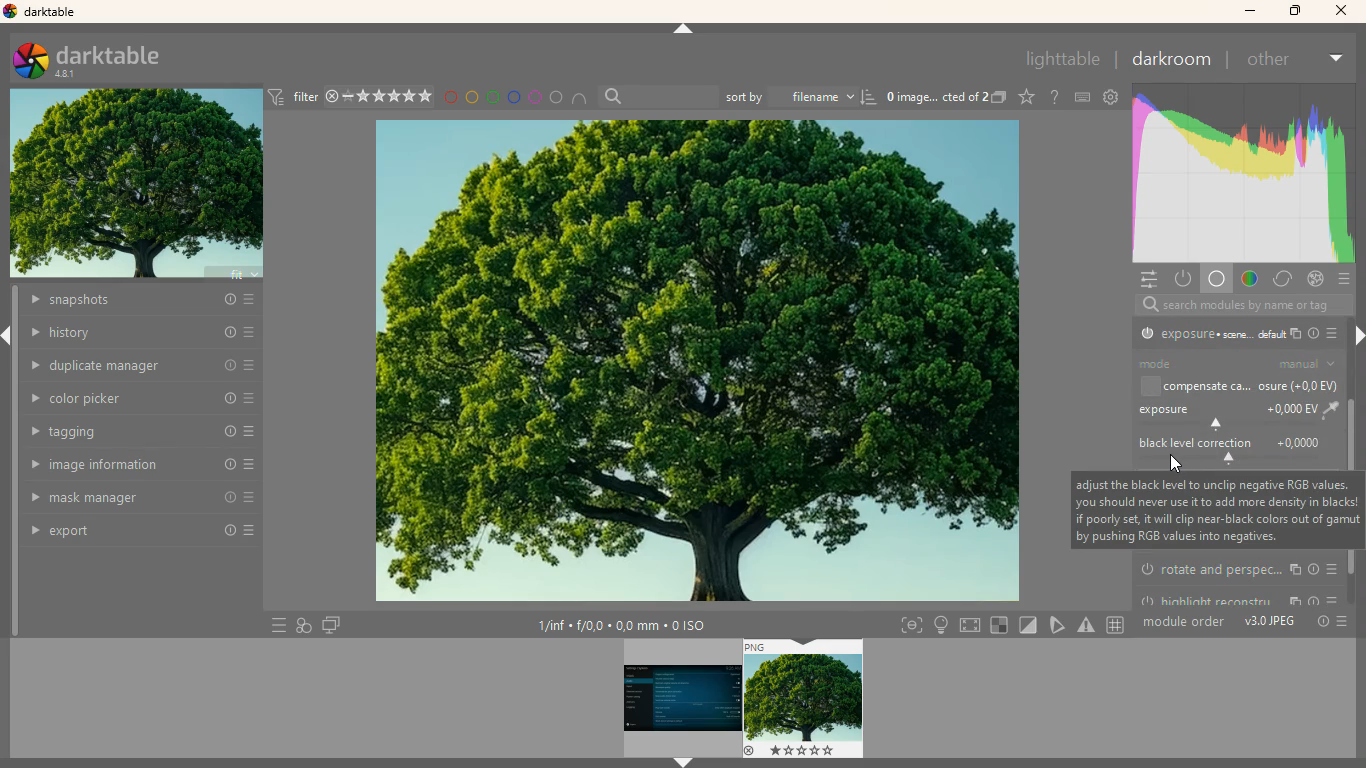 The height and width of the screenshot is (768, 1366). What do you see at coordinates (143, 398) in the screenshot?
I see `color picker` at bounding box center [143, 398].